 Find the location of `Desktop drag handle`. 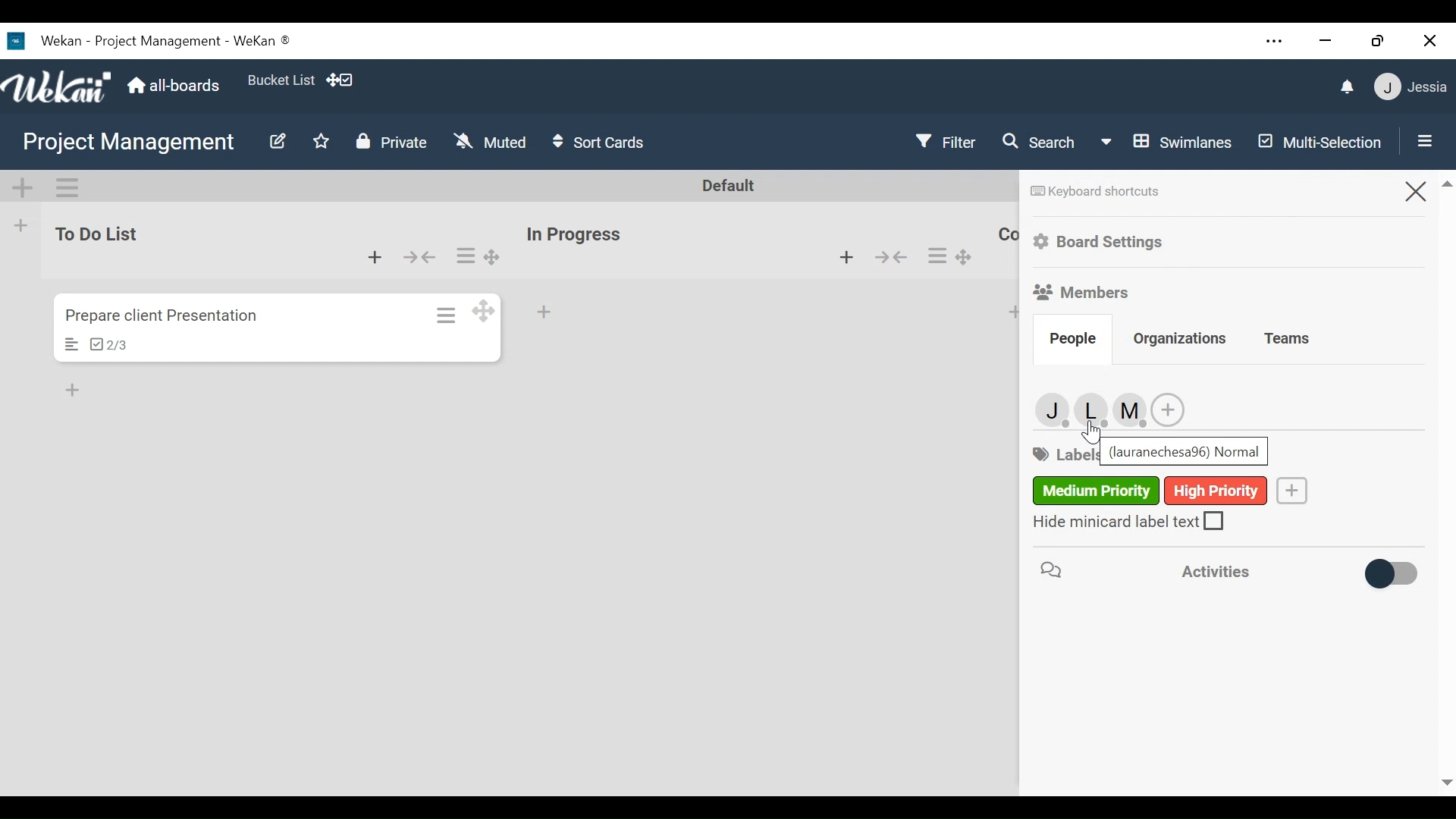

Desktop drag handle is located at coordinates (968, 257).